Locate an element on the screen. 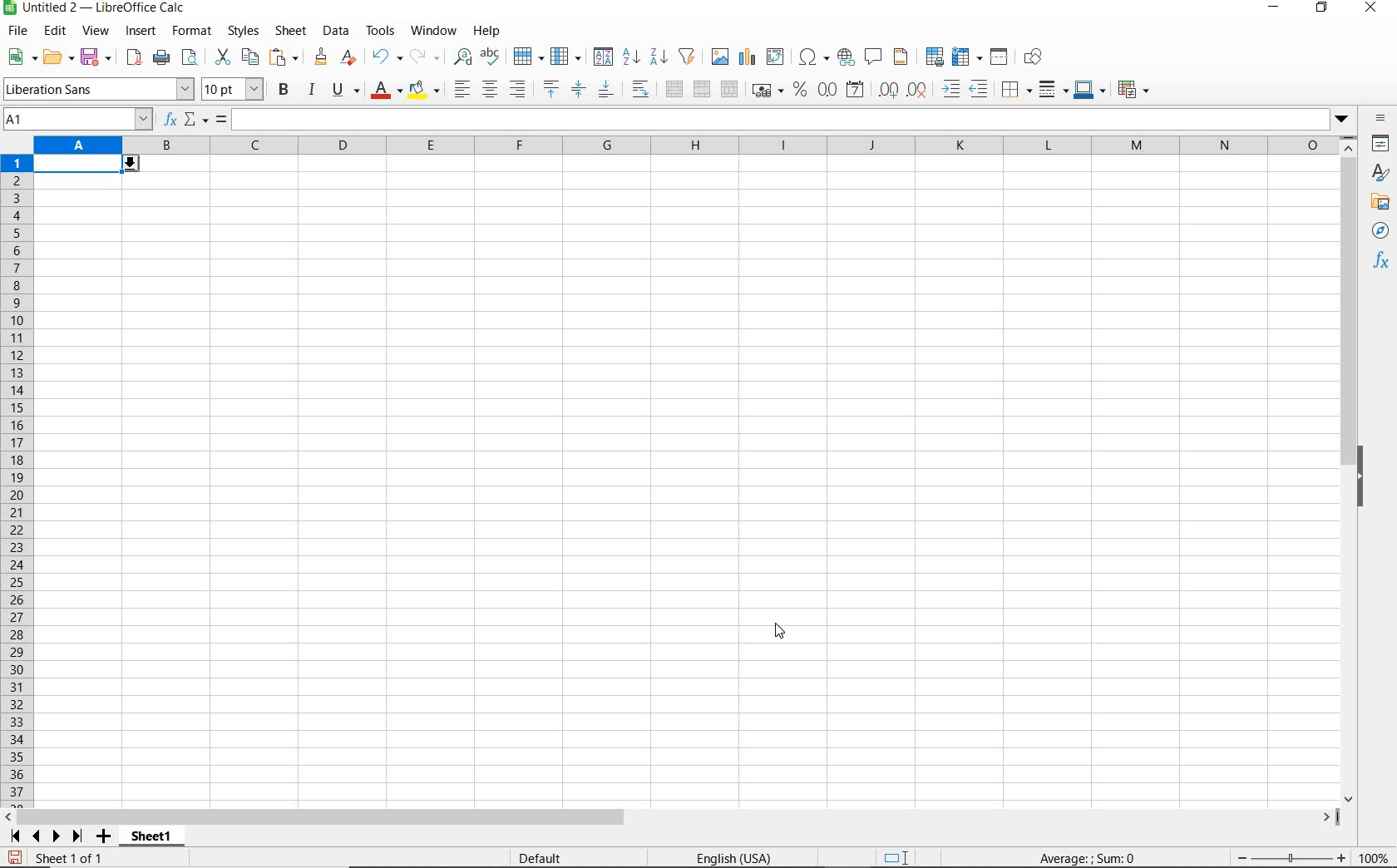  sheet1 is located at coordinates (151, 839).